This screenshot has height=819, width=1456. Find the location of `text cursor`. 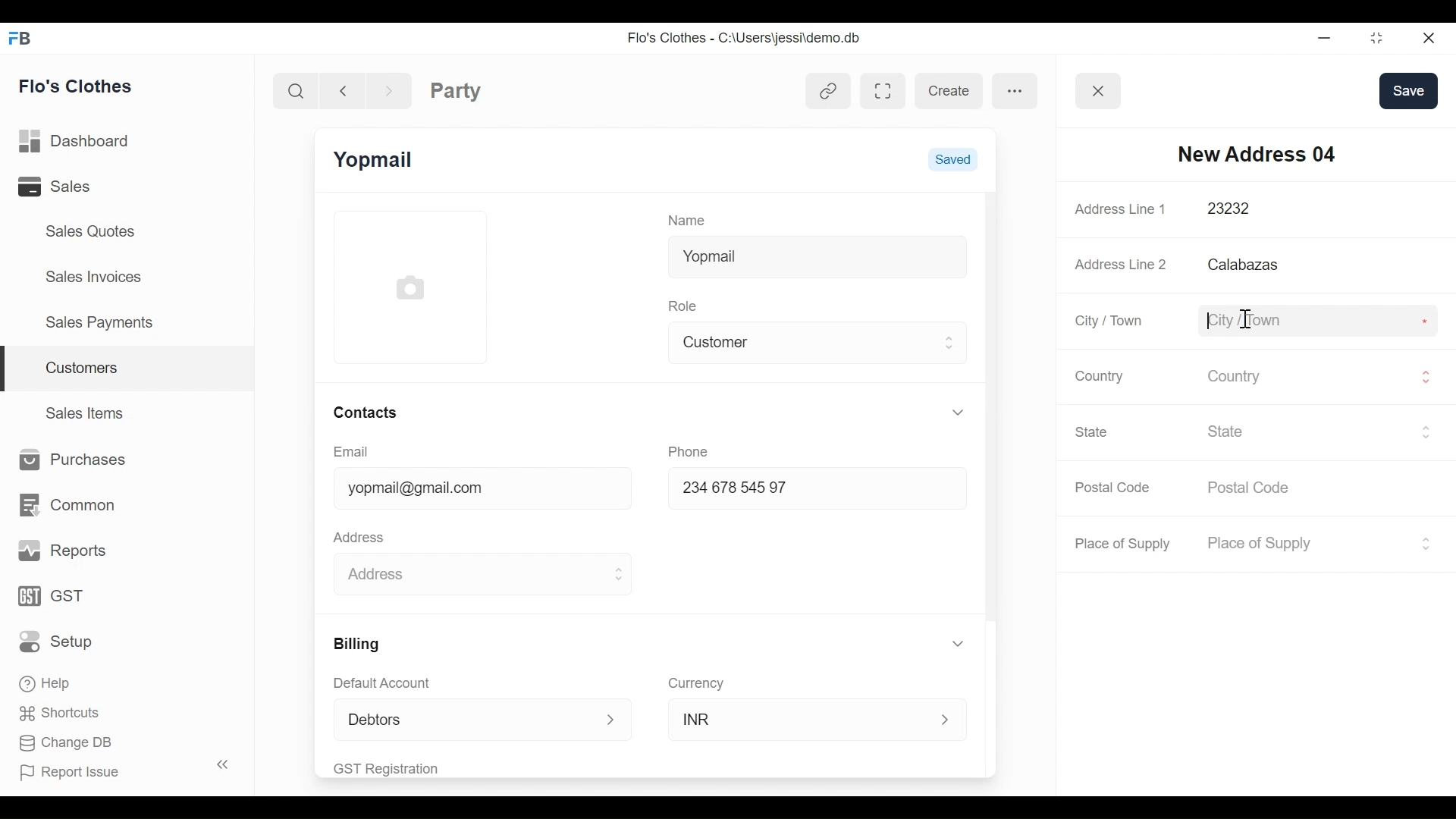

text cursor is located at coordinates (1243, 319).